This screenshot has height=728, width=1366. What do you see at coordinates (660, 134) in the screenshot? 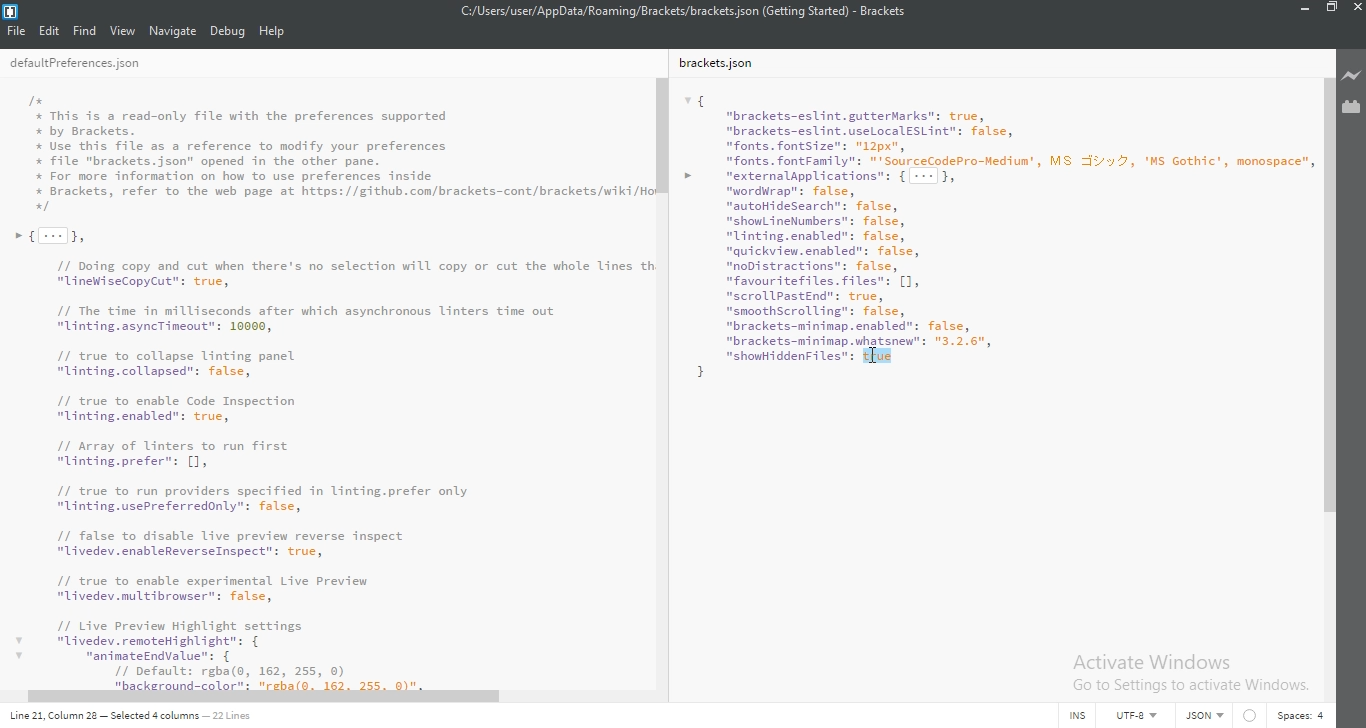
I see `scroll bar` at bounding box center [660, 134].